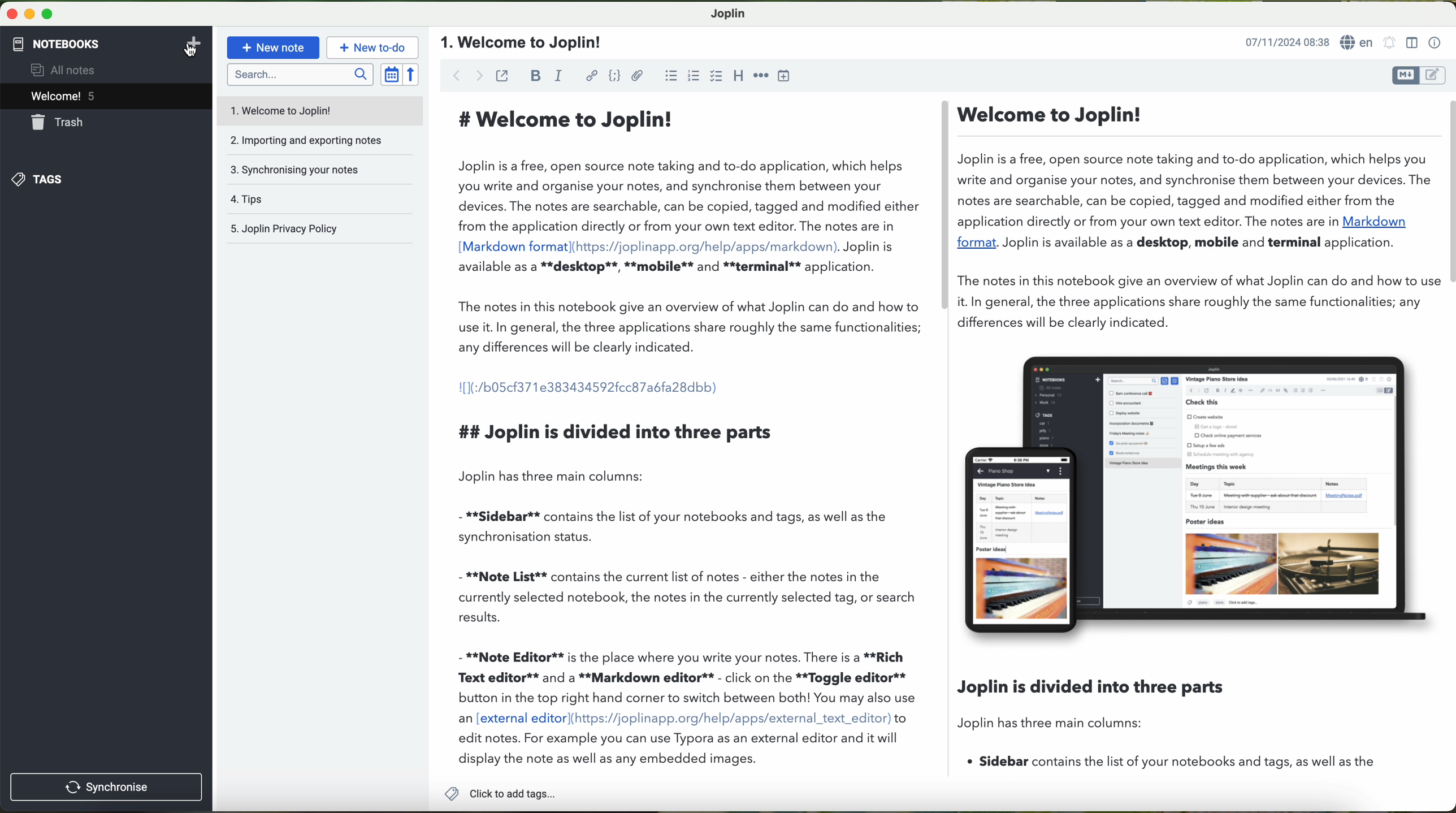  What do you see at coordinates (615, 76) in the screenshot?
I see `code` at bounding box center [615, 76].